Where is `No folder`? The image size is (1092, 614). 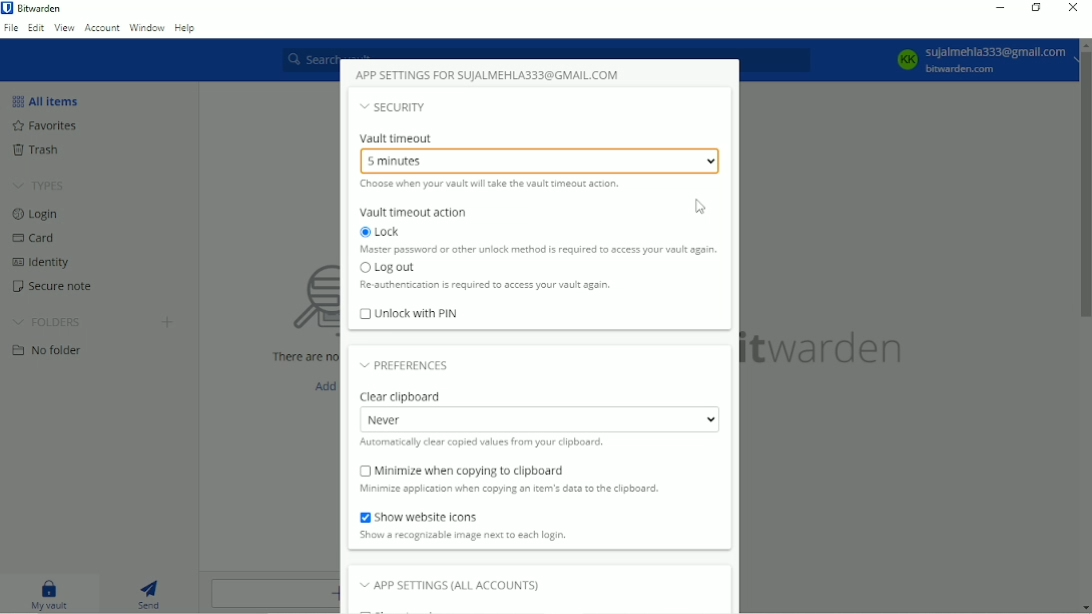
No folder is located at coordinates (47, 352).